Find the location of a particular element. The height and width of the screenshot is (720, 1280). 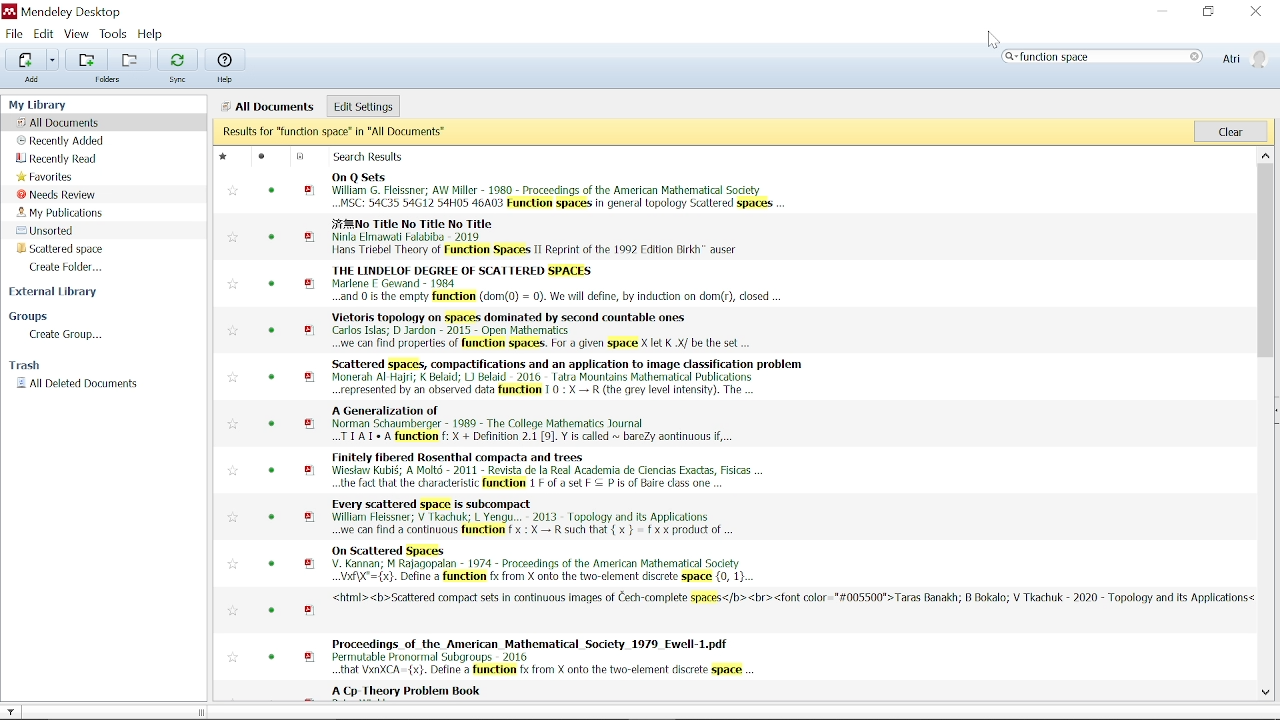

Unsorted is located at coordinates (60, 231).